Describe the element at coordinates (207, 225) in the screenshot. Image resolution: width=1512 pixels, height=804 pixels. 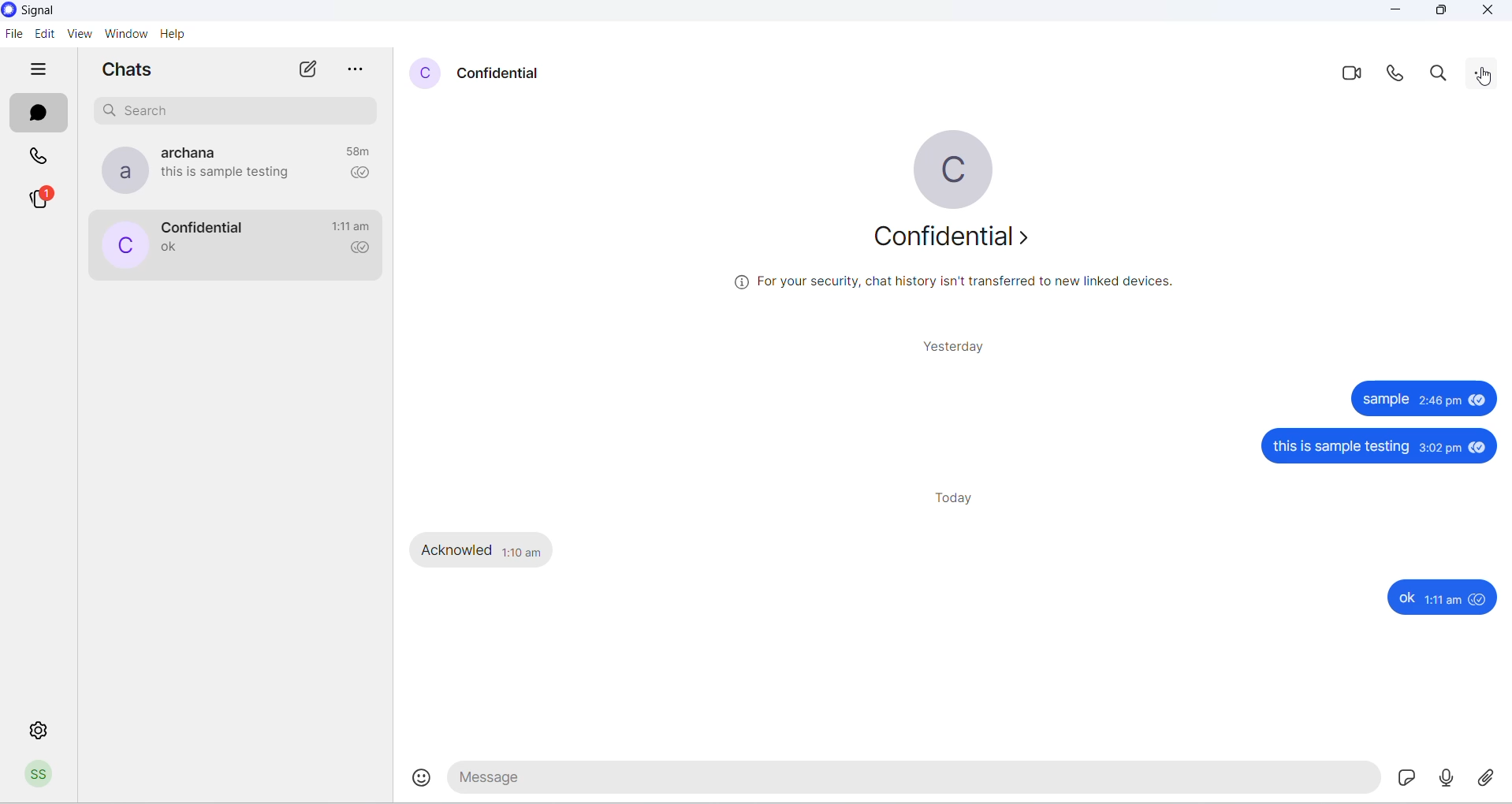
I see `contact name` at that location.